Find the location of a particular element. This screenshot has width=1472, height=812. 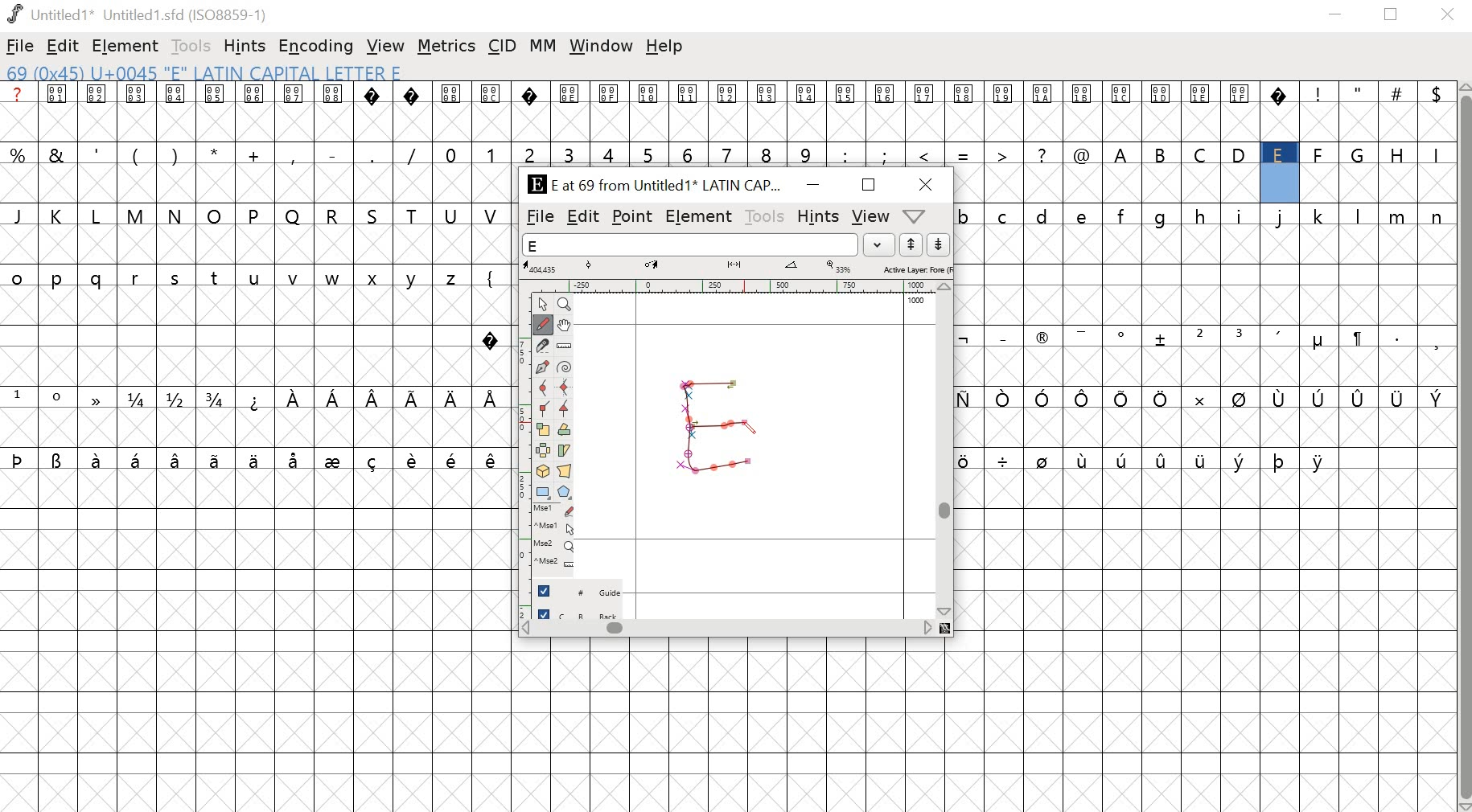

MM is located at coordinates (543, 47).